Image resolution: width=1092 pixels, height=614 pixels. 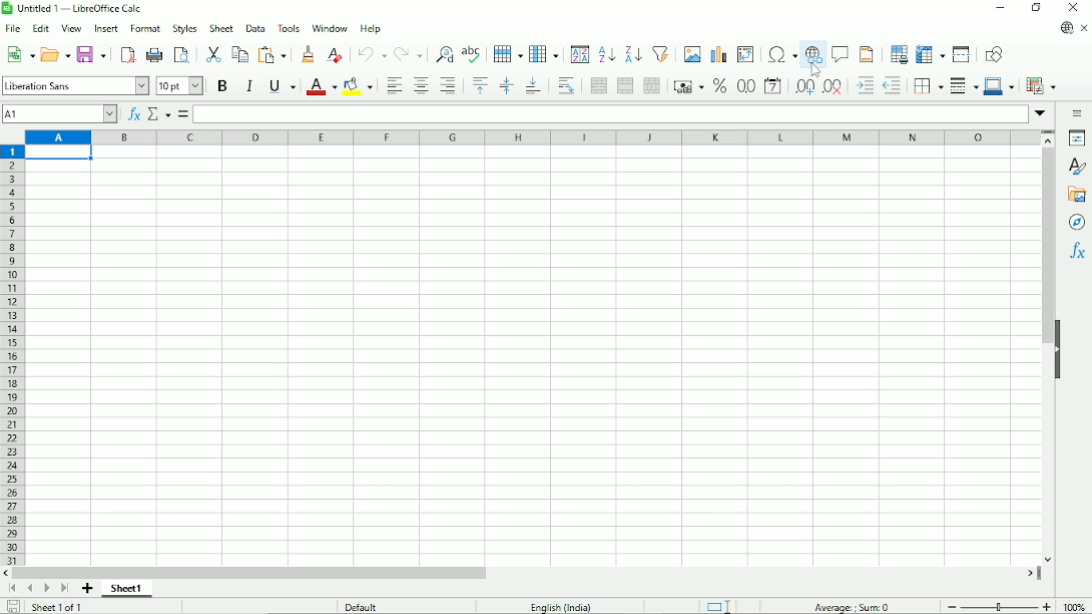 What do you see at coordinates (127, 589) in the screenshot?
I see `Sheet1` at bounding box center [127, 589].